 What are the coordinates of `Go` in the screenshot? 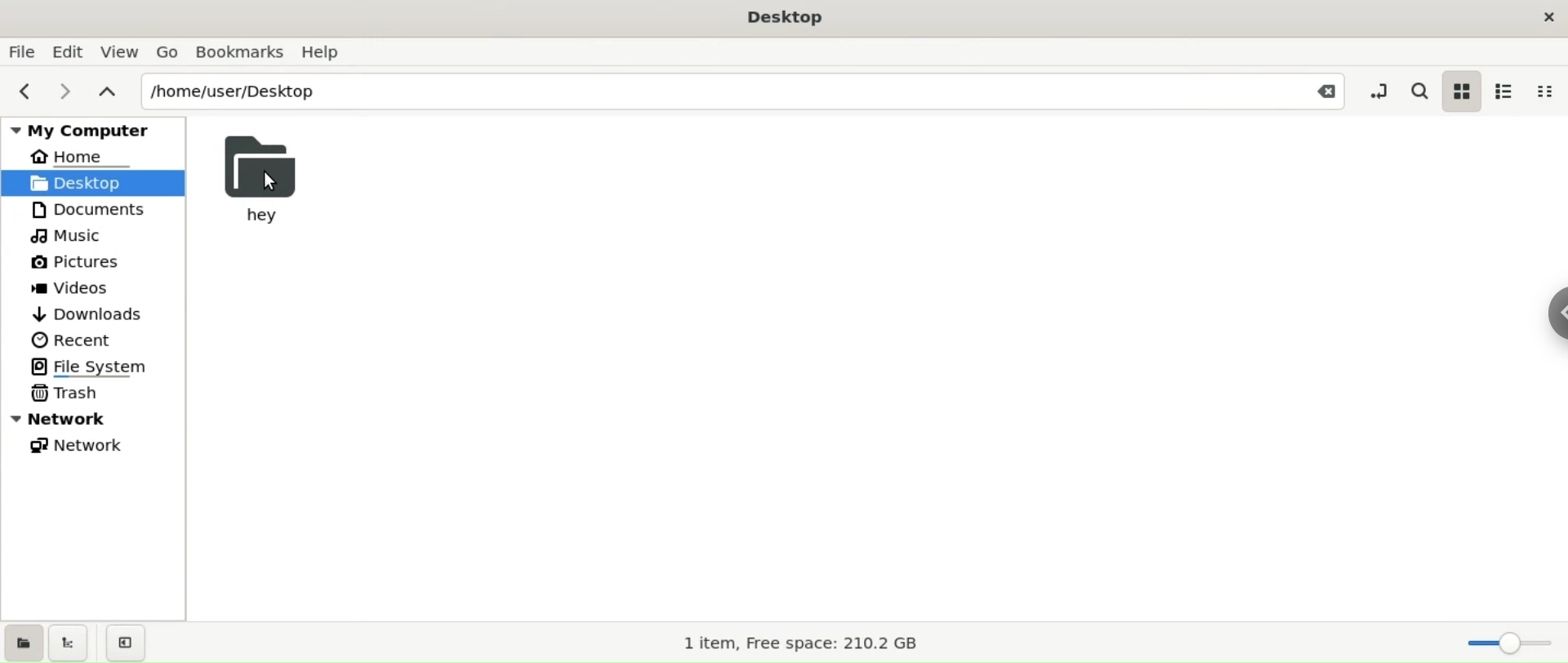 It's located at (167, 51).